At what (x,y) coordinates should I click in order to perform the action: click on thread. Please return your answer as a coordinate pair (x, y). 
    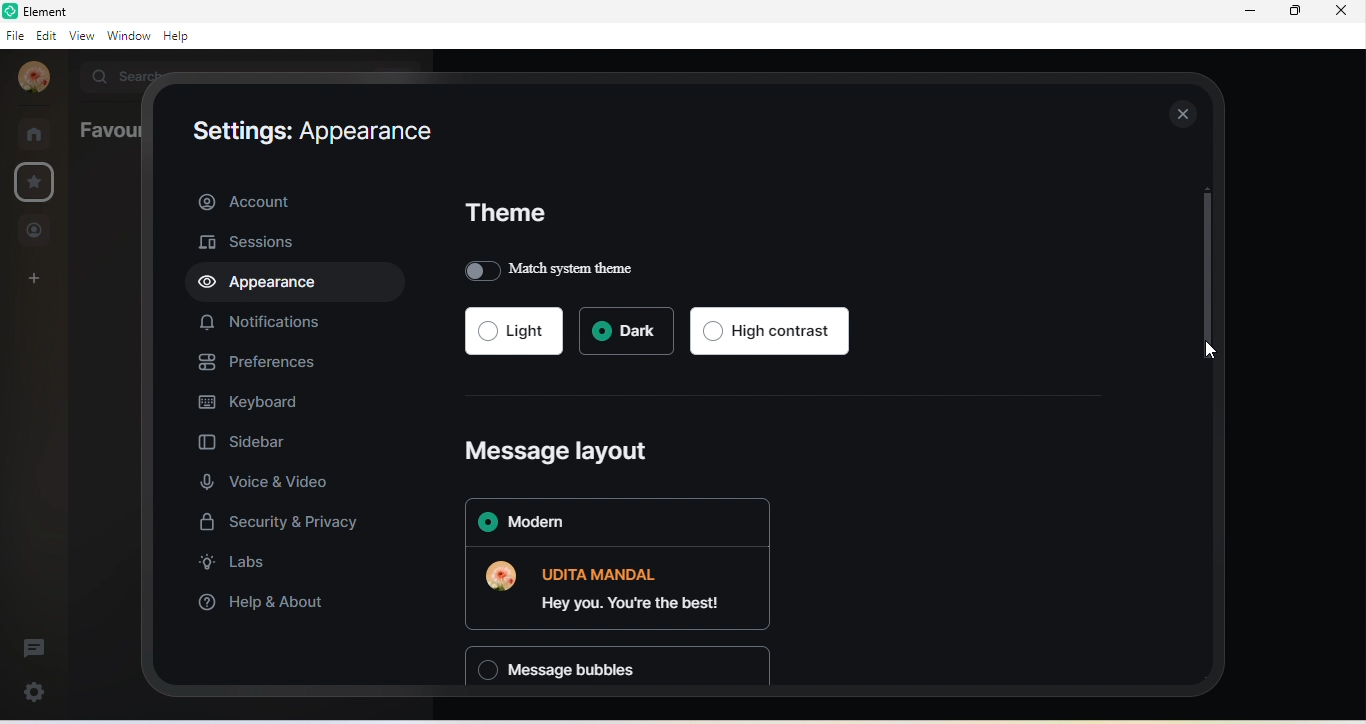
    Looking at the image, I should click on (32, 645).